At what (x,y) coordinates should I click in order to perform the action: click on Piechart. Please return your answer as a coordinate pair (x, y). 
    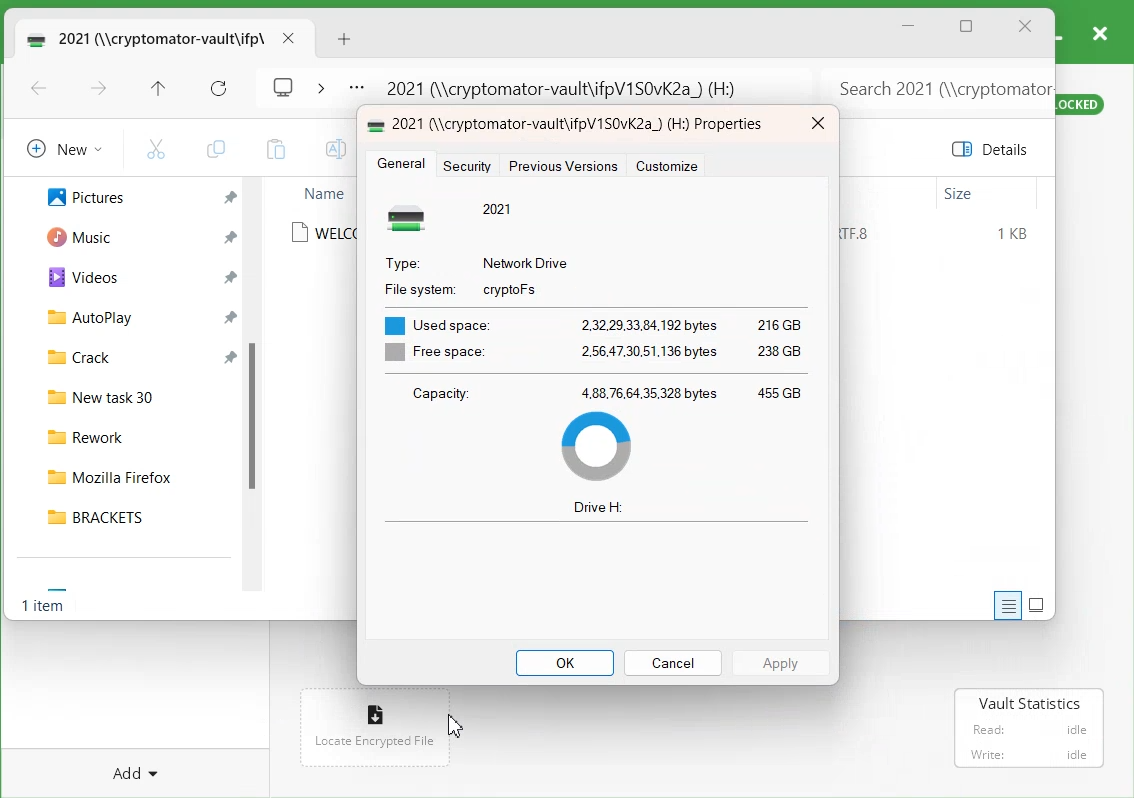
    Looking at the image, I should click on (596, 446).